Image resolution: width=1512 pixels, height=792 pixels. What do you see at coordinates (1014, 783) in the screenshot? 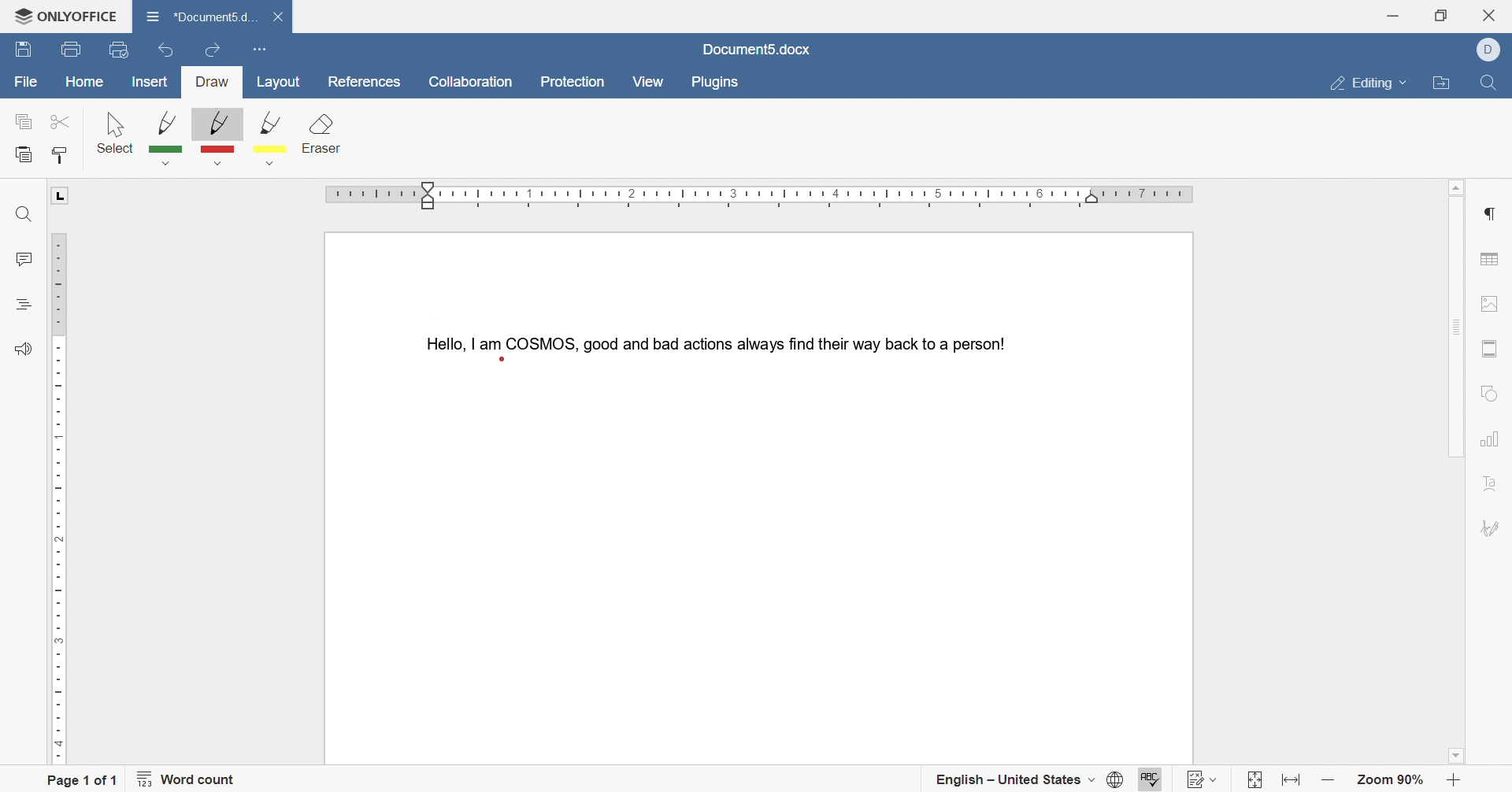
I see `english - united states` at bounding box center [1014, 783].